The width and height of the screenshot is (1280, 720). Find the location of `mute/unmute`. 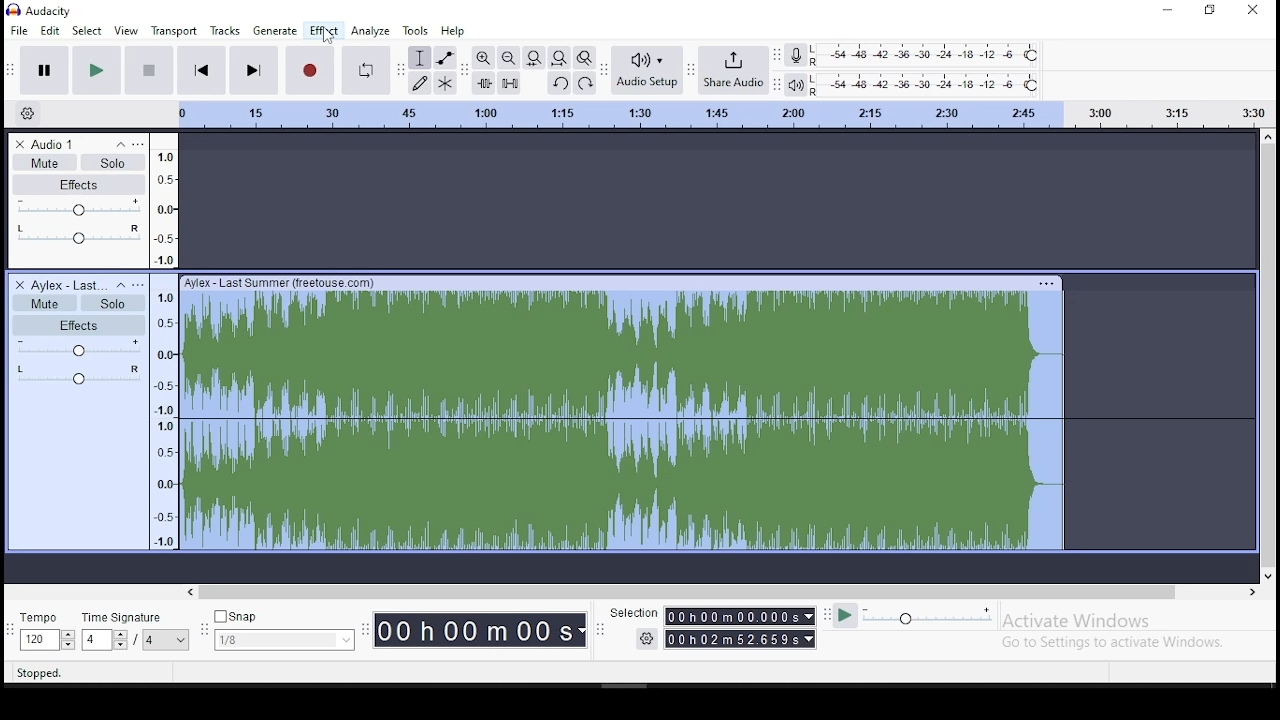

mute/unmute is located at coordinates (44, 162).